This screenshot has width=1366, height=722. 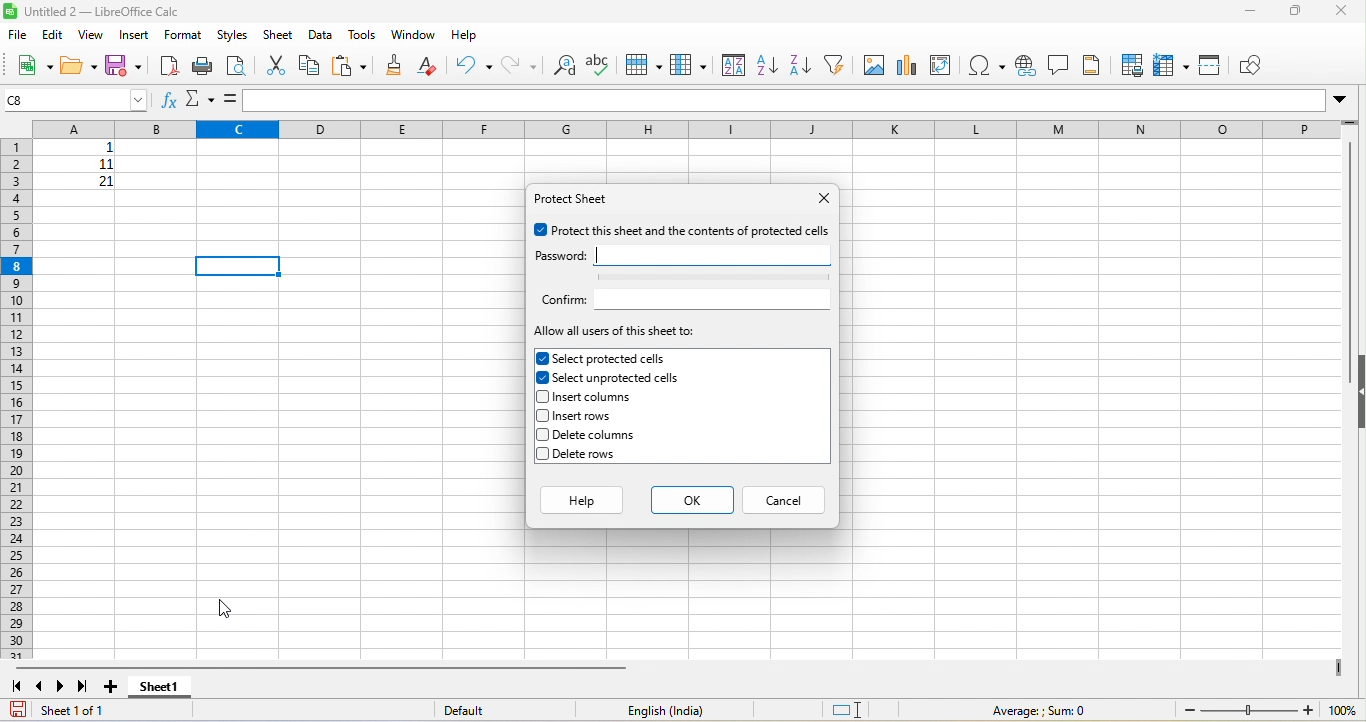 What do you see at coordinates (280, 35) in the screenshot?
I see `sheet` at bounding box center [280, 35].